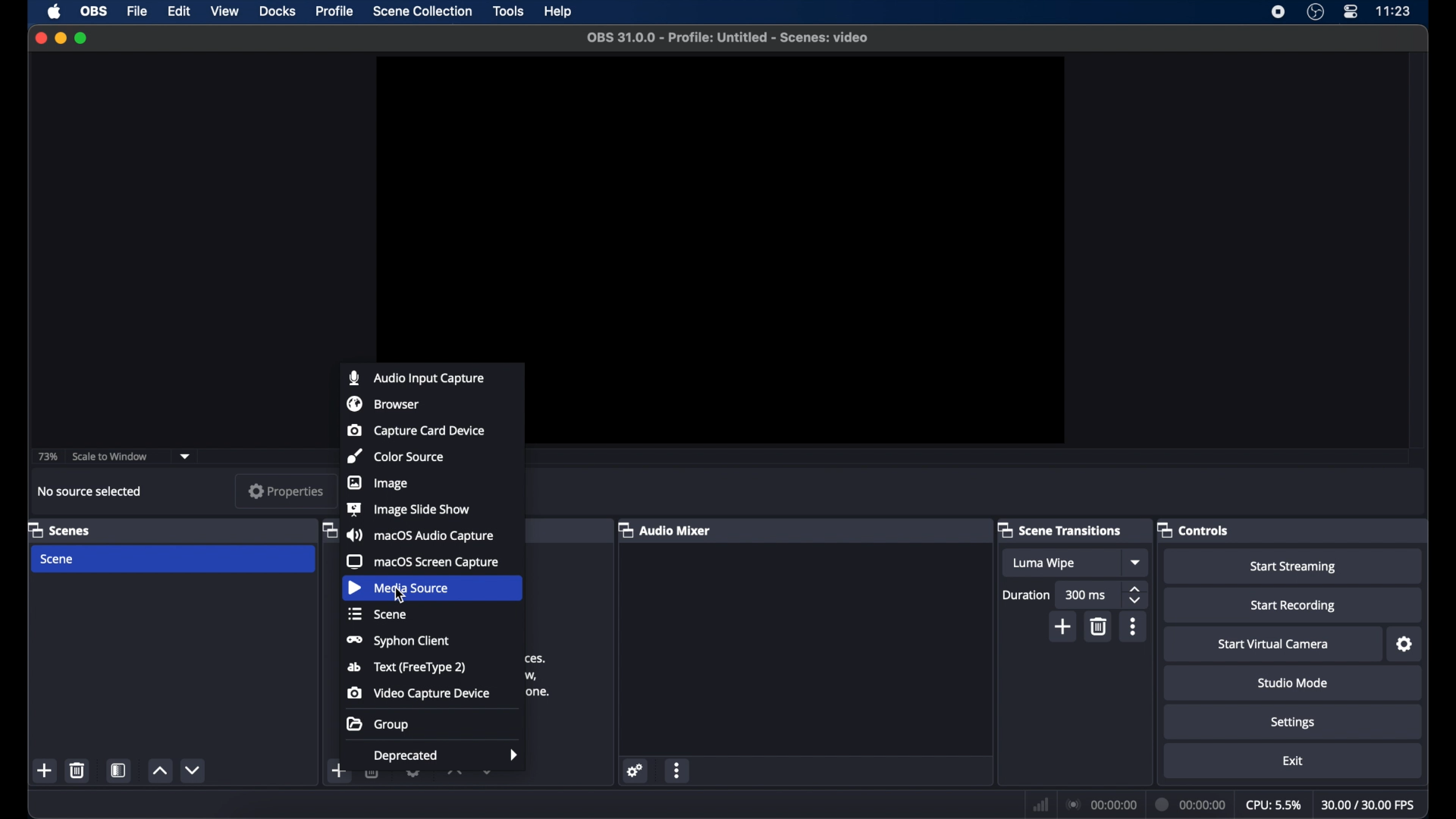  Describe the element at coordinates (1060, 530) in the screenshot. I see `scene transitions` at that location.